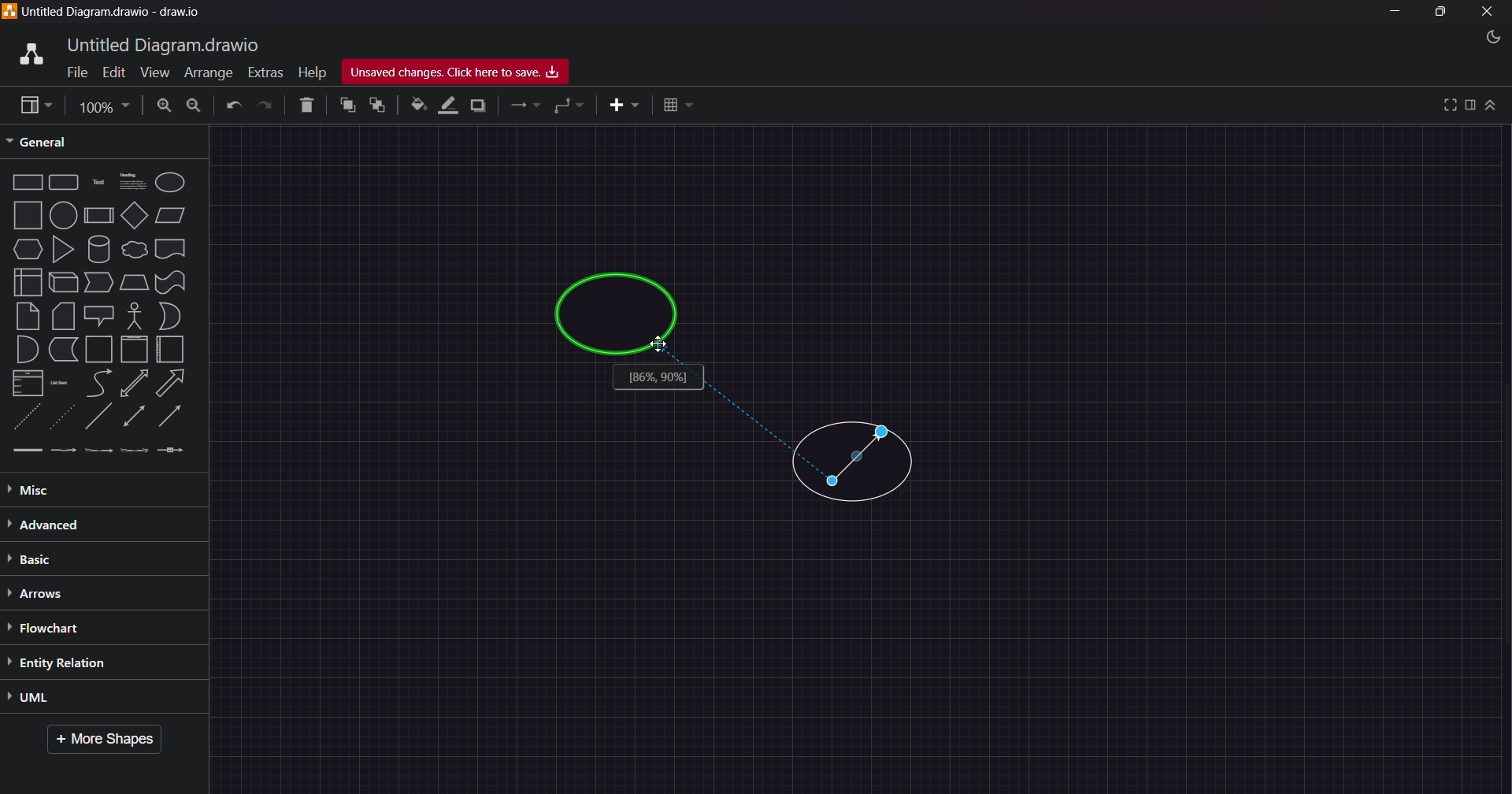 The width and height of the screenshot is (1512, 794). What do you see at coordinates (1470, 105) in the screenshot?
I see `format` at bounding box center [1470, 105].